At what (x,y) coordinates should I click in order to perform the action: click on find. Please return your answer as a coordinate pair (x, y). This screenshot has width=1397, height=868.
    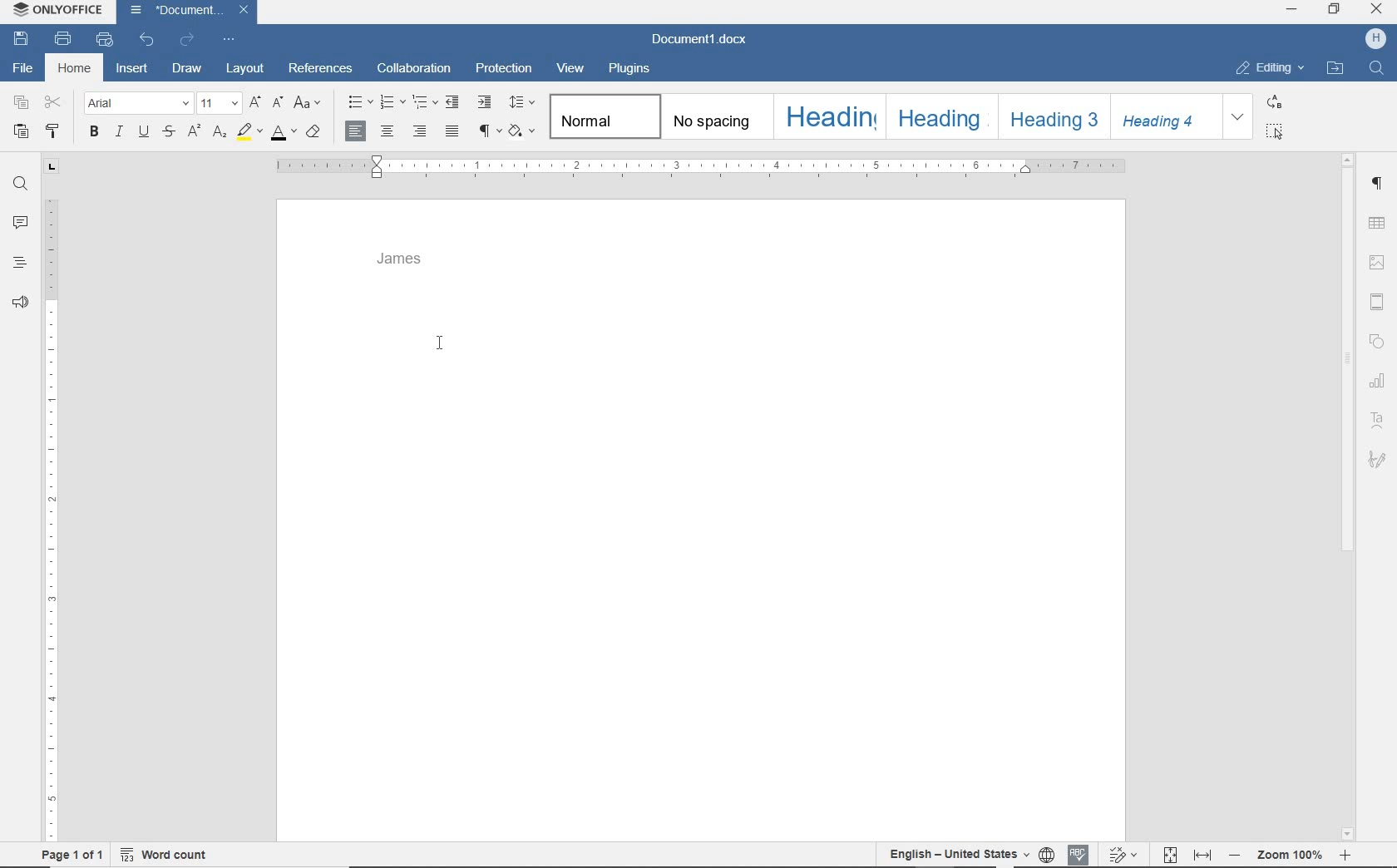
    Looking at the image, I should click on (1376, 70).